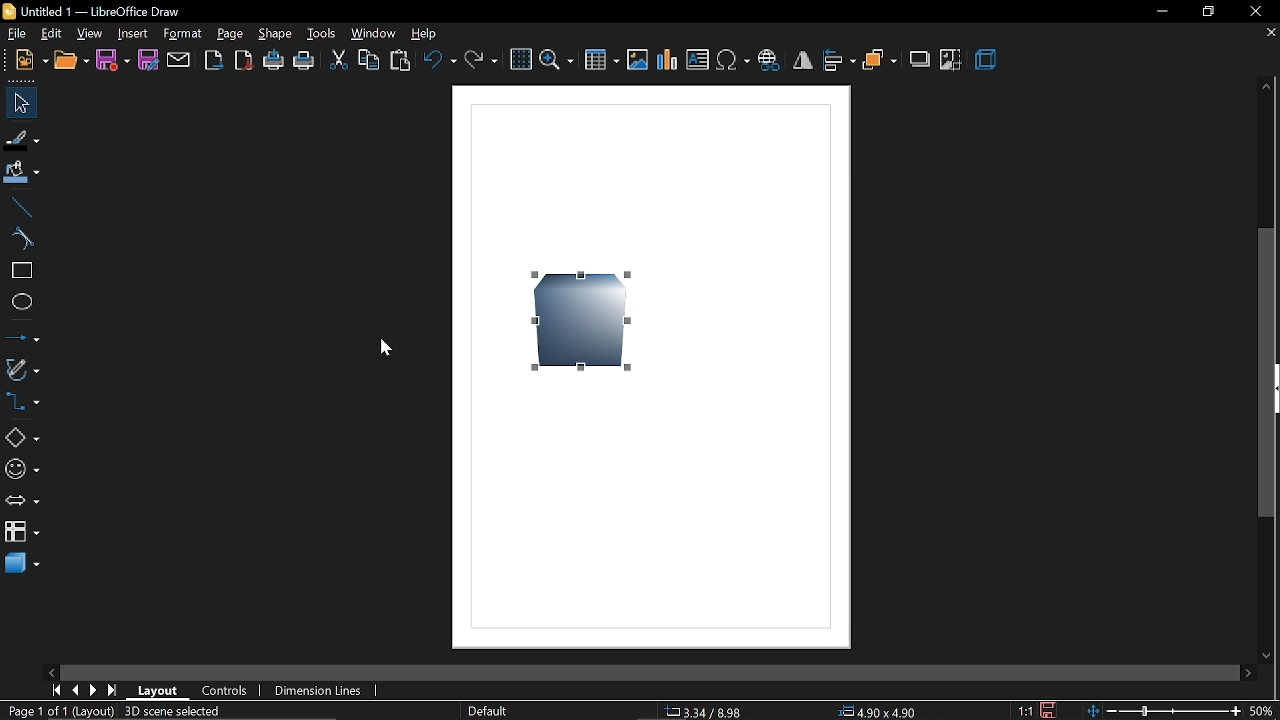  What do you see at coordinates (1251, 675) in the screenshot?
I see `move right` at bounding box center [1251, 675].